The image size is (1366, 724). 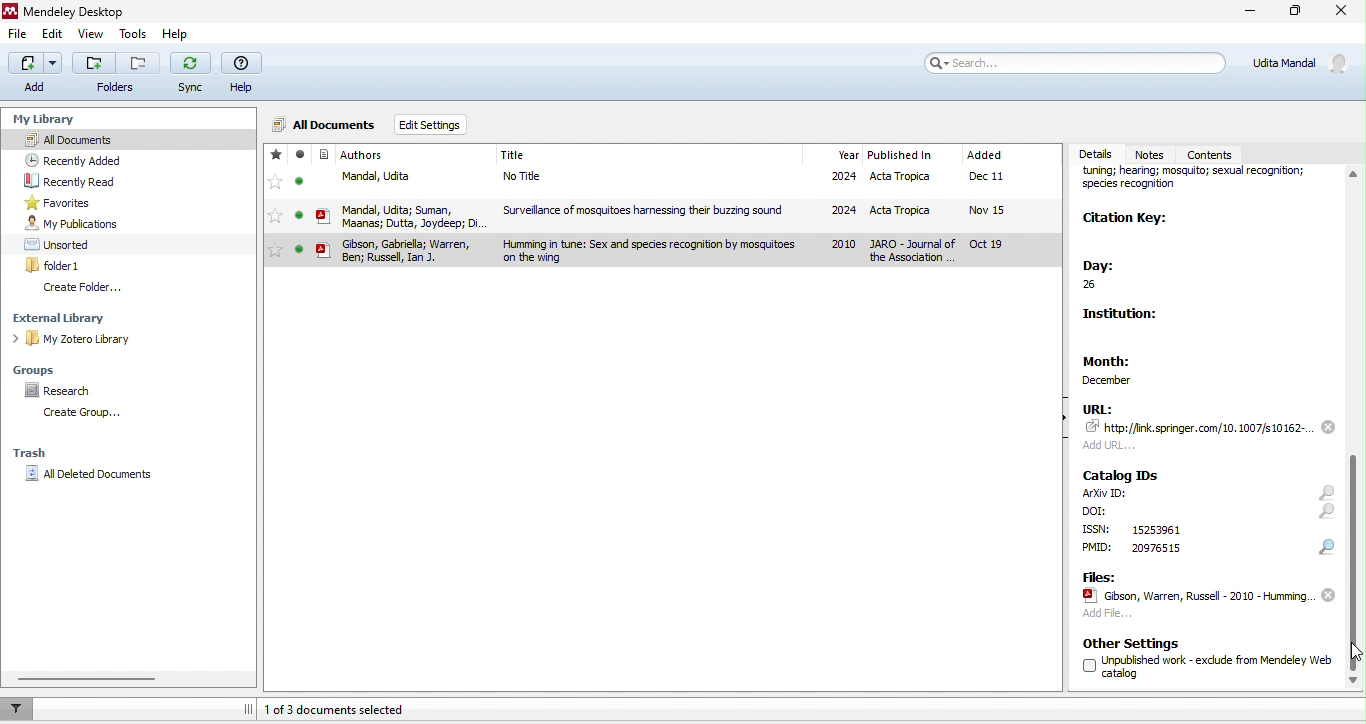 What do you see at coordinates (343, 709) in the screenshot?
I see `1 of 3 documents selected` at bounding box center [343, 709].